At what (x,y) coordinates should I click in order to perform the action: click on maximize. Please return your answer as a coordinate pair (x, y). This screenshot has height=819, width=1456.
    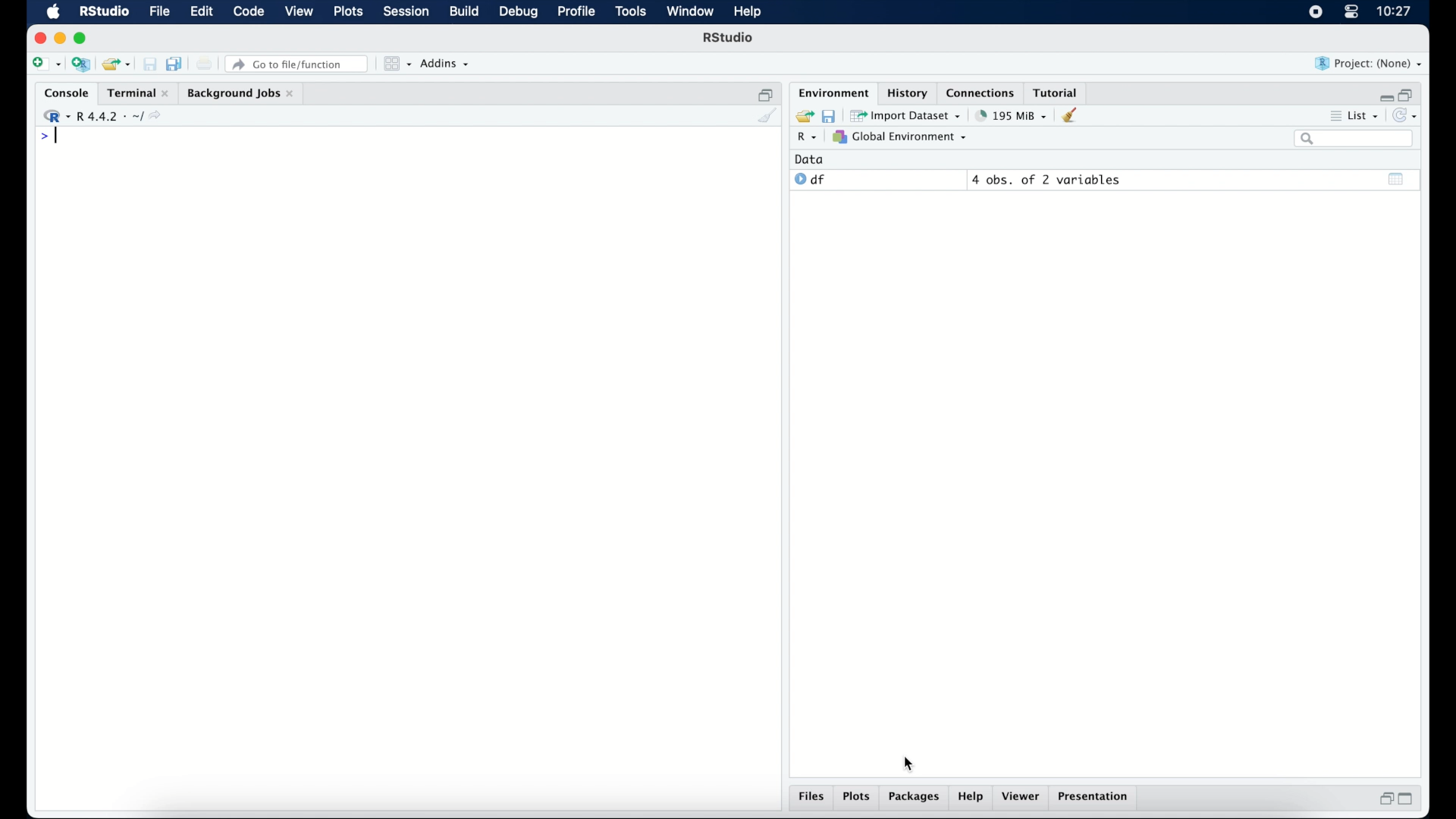
    Looking at the image, I should click on (83, 38).